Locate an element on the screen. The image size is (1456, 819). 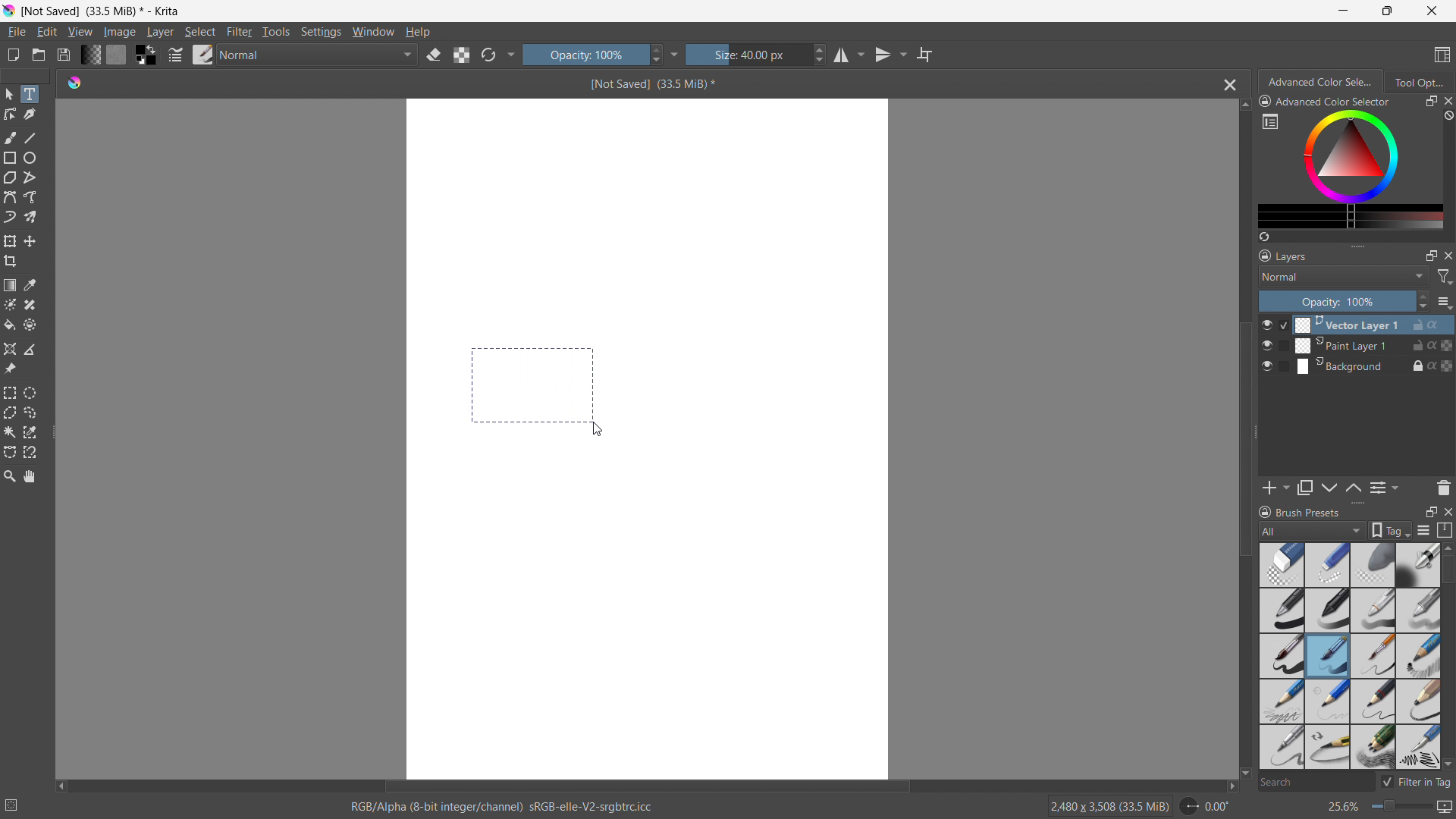
add layer is located at coordinates (1276, 488).